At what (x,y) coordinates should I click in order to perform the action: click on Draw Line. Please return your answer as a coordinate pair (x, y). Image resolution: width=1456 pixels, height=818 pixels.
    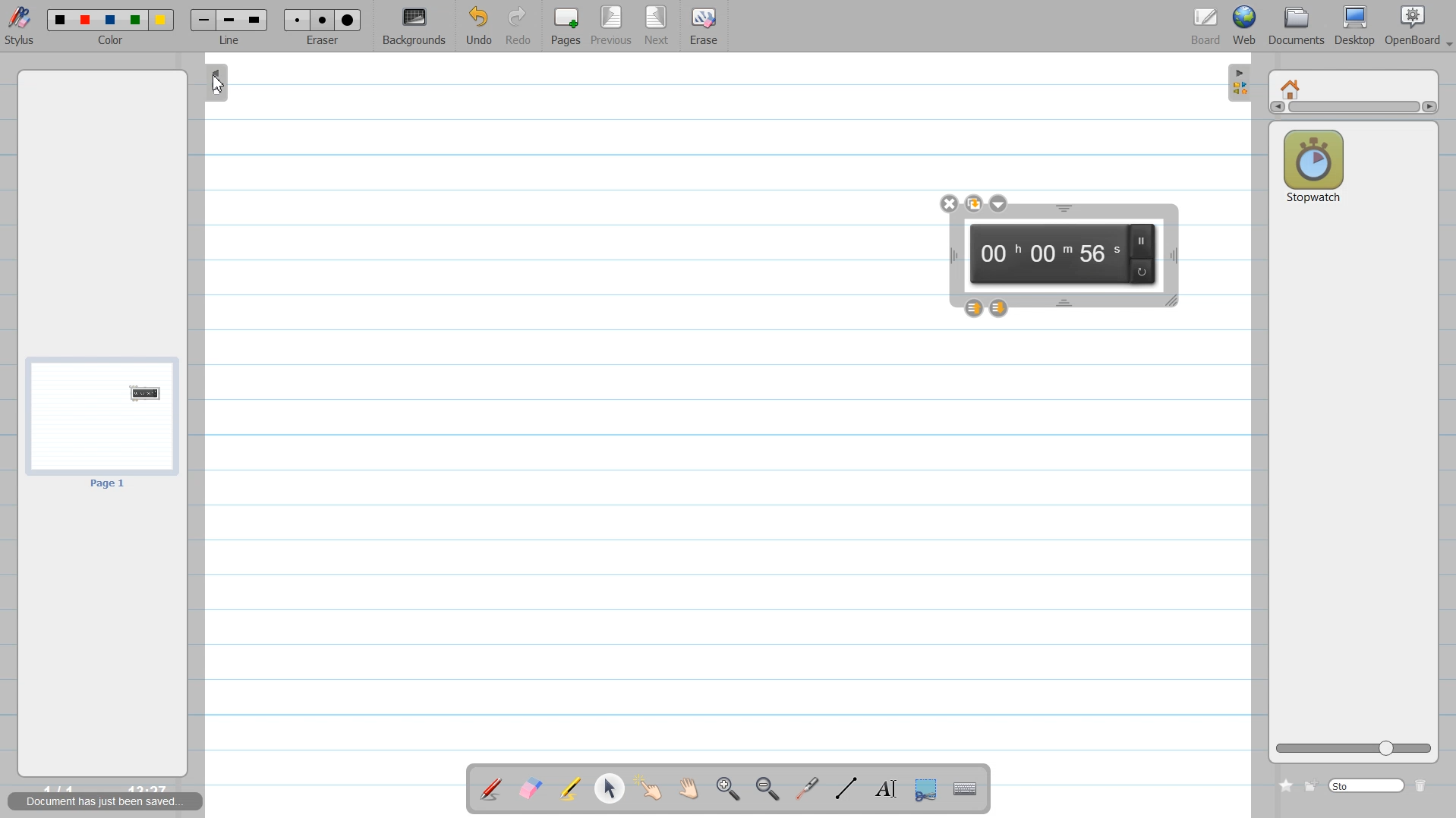
    Looking at the image, I should click on (845, 788).